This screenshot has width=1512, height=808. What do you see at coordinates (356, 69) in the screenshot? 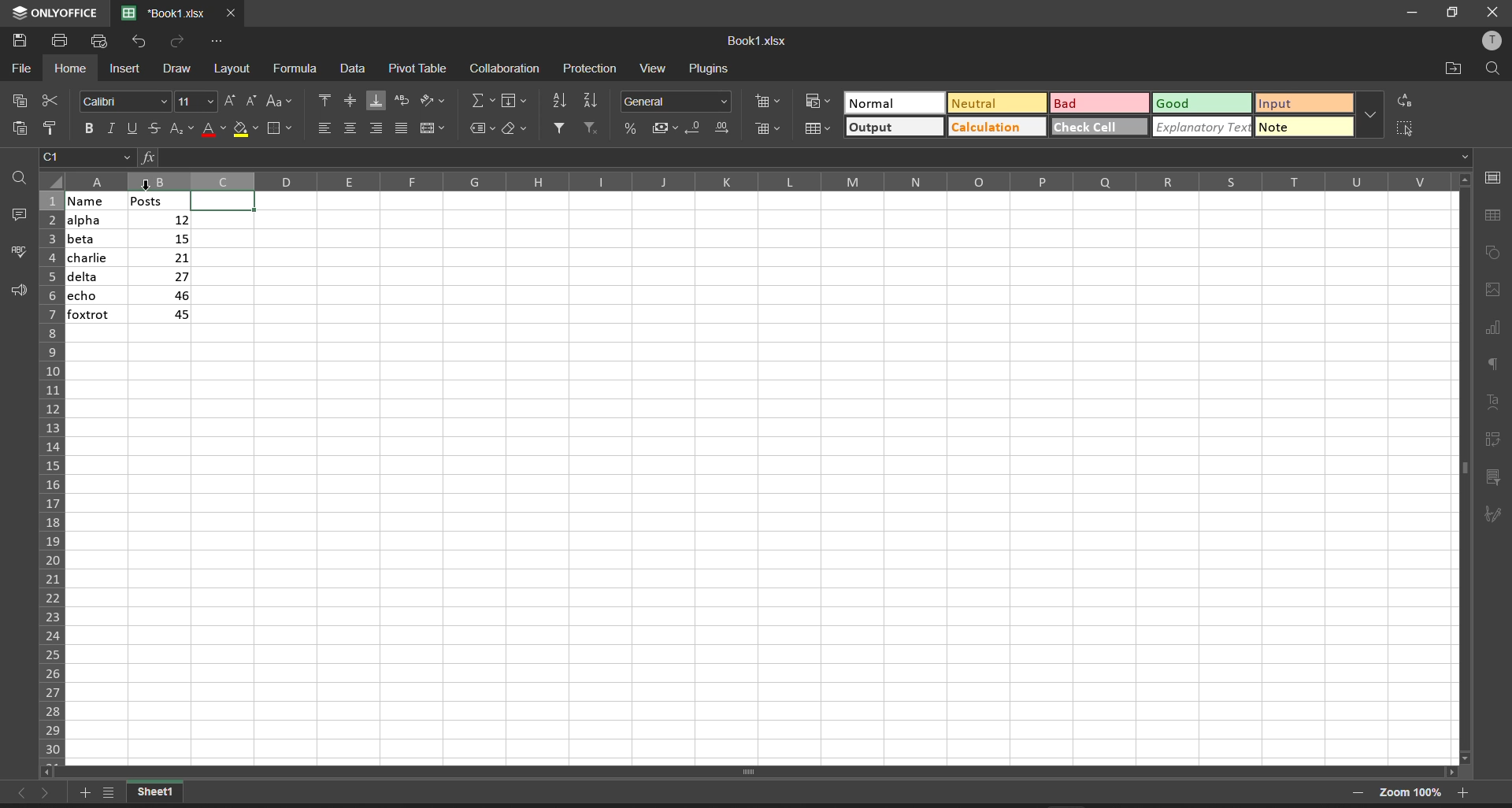
I see `data` at bounding box center [356, 69].